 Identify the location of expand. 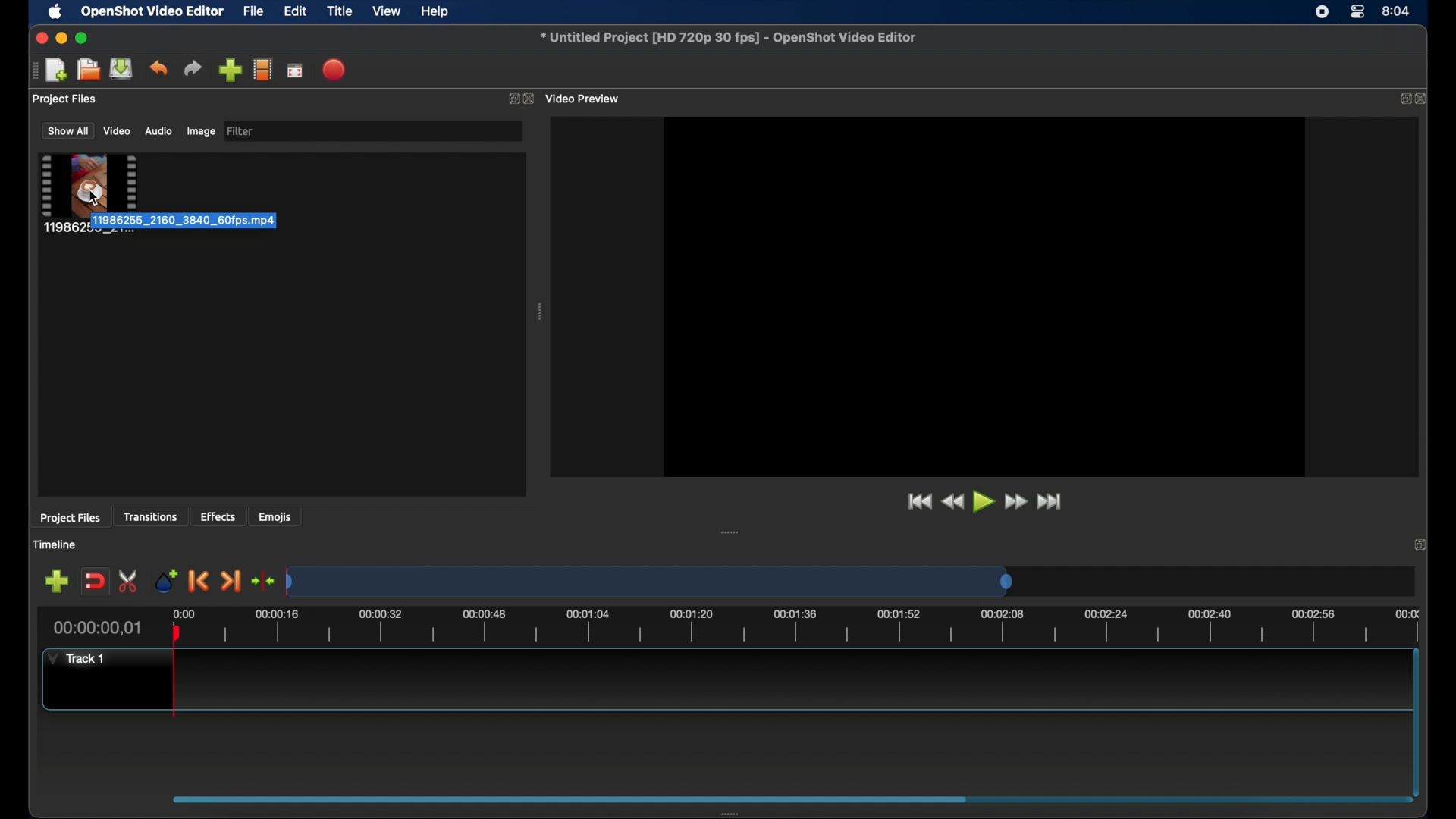
(1401, 99).